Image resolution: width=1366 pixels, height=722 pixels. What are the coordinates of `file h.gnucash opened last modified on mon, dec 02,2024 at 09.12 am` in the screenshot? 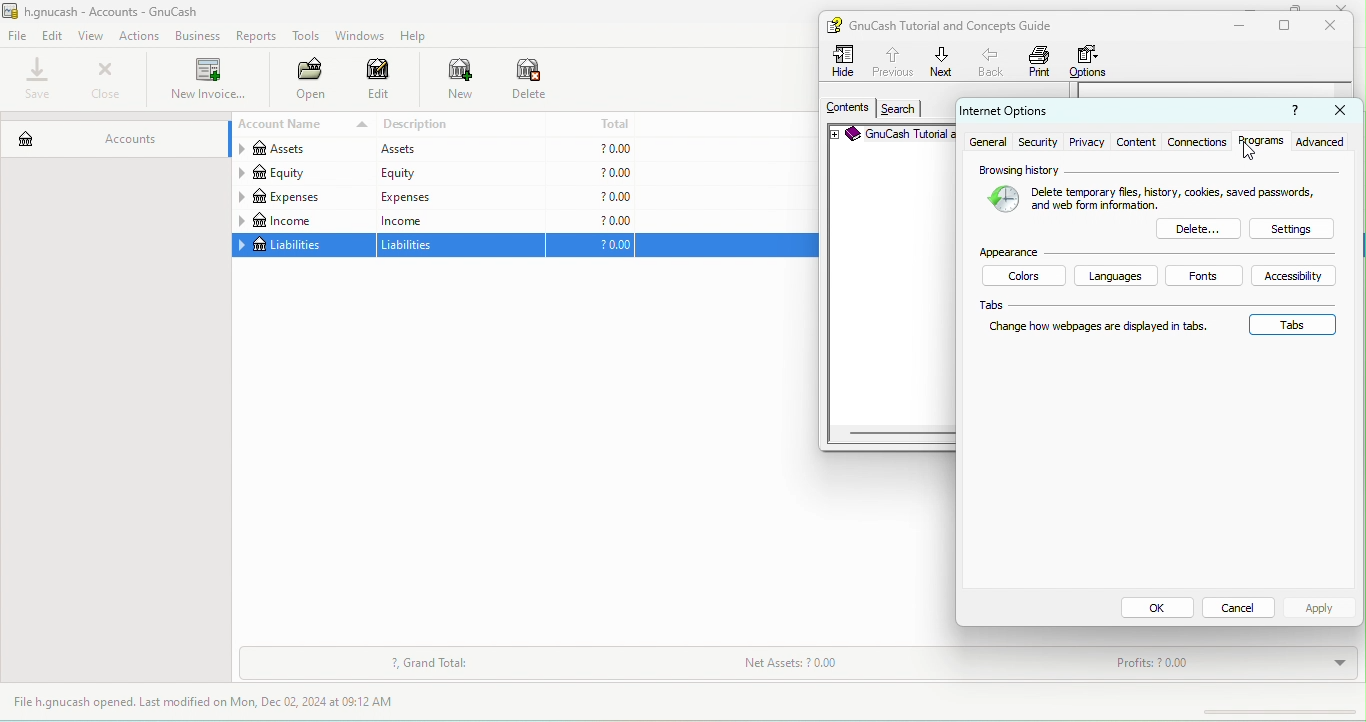 It's located at (219, 703).